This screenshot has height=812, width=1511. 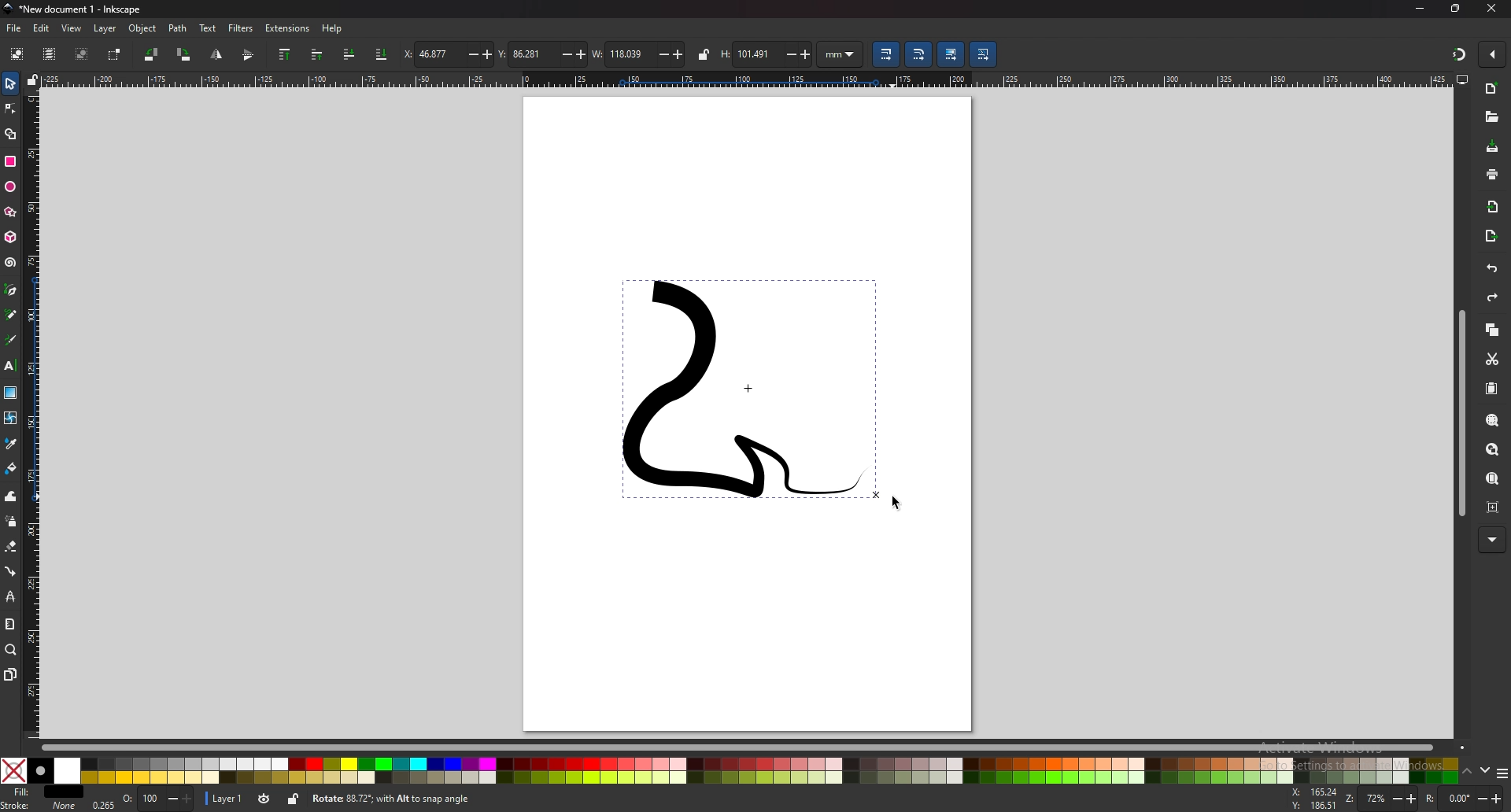 I want to click on dropper, so click(x=11, y=443).